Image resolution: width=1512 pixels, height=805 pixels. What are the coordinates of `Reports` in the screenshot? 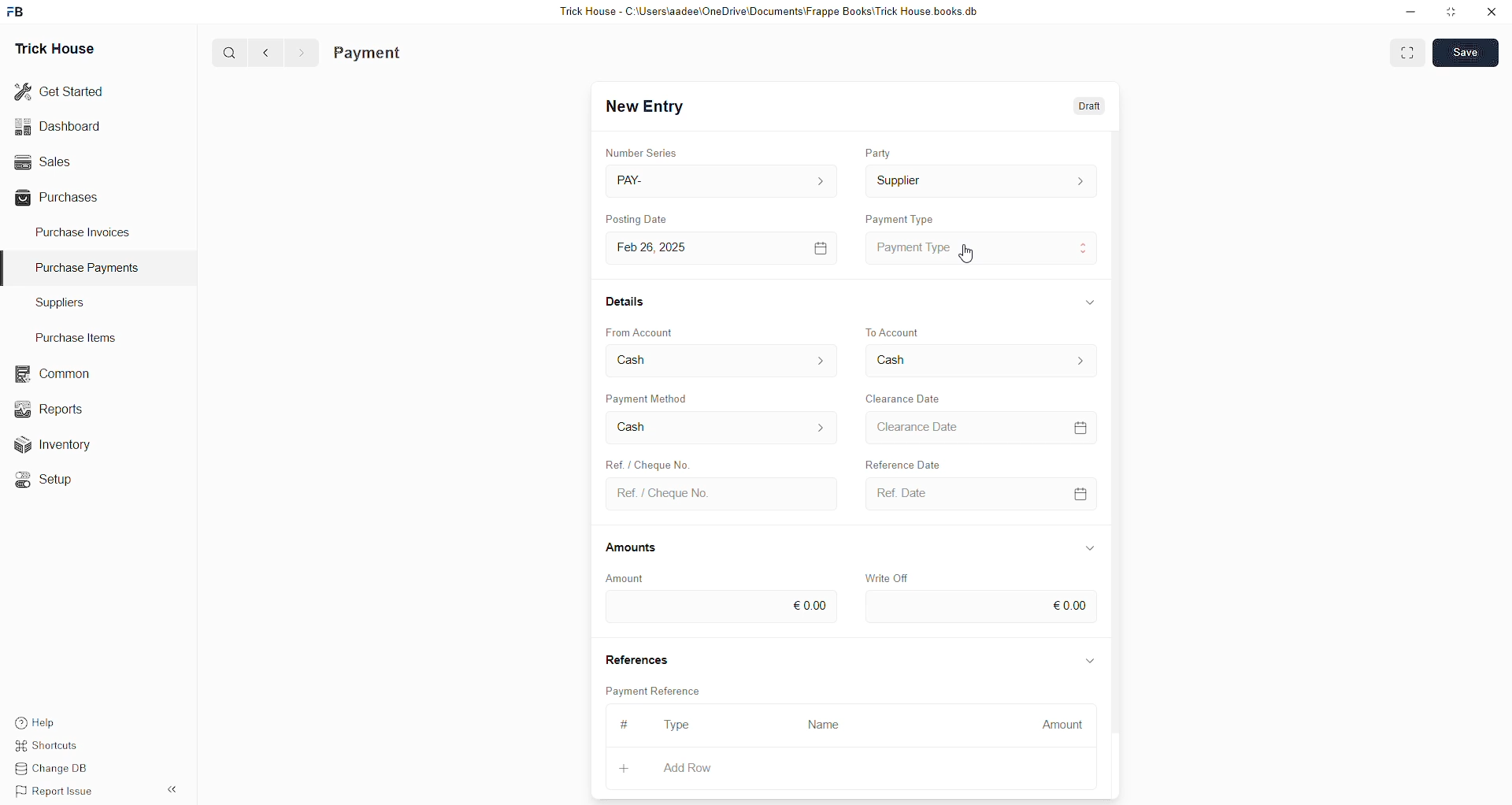 It's located at (50, 408).